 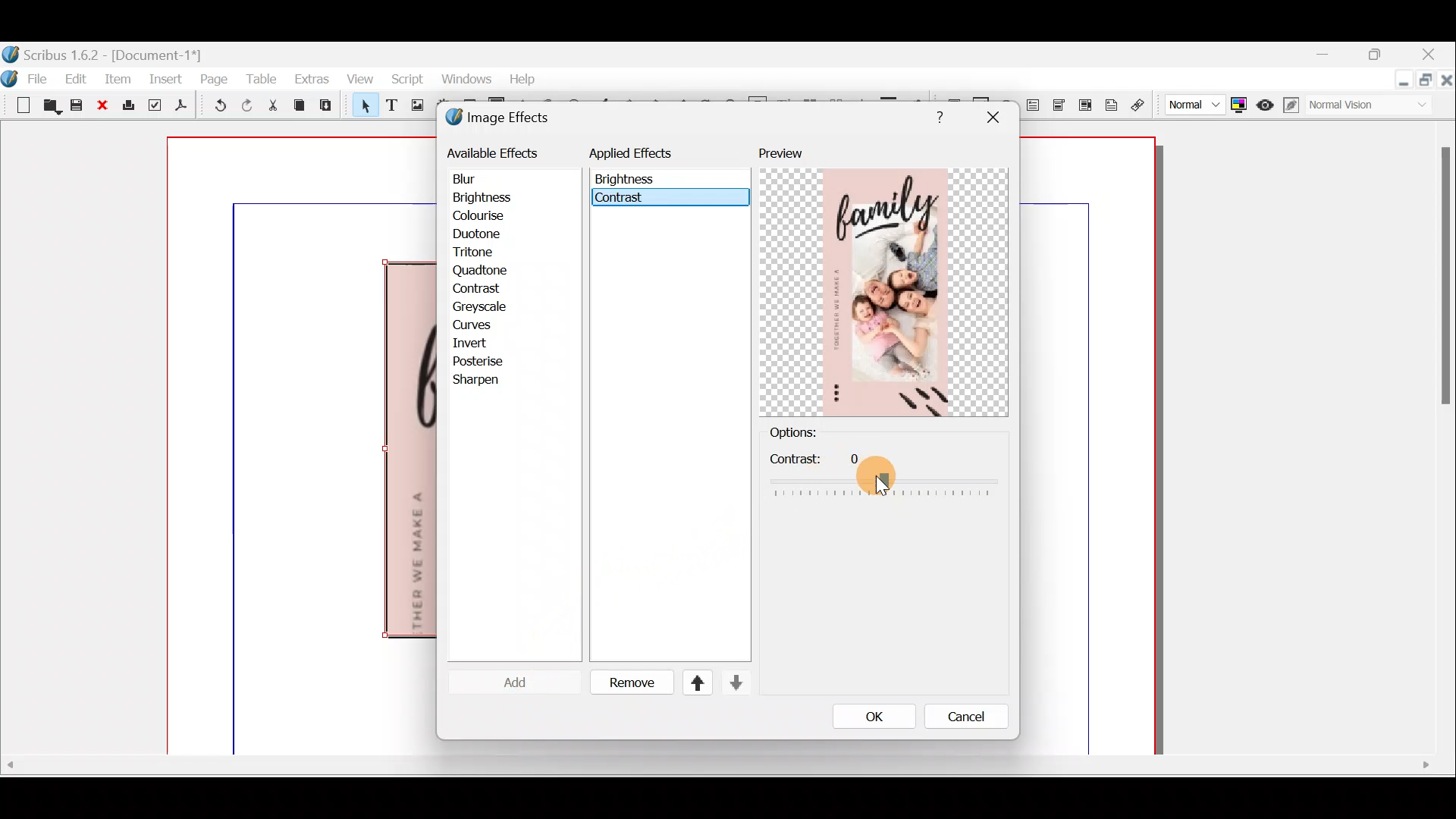 I want to click on Cursor, so click(x=886, y=485).